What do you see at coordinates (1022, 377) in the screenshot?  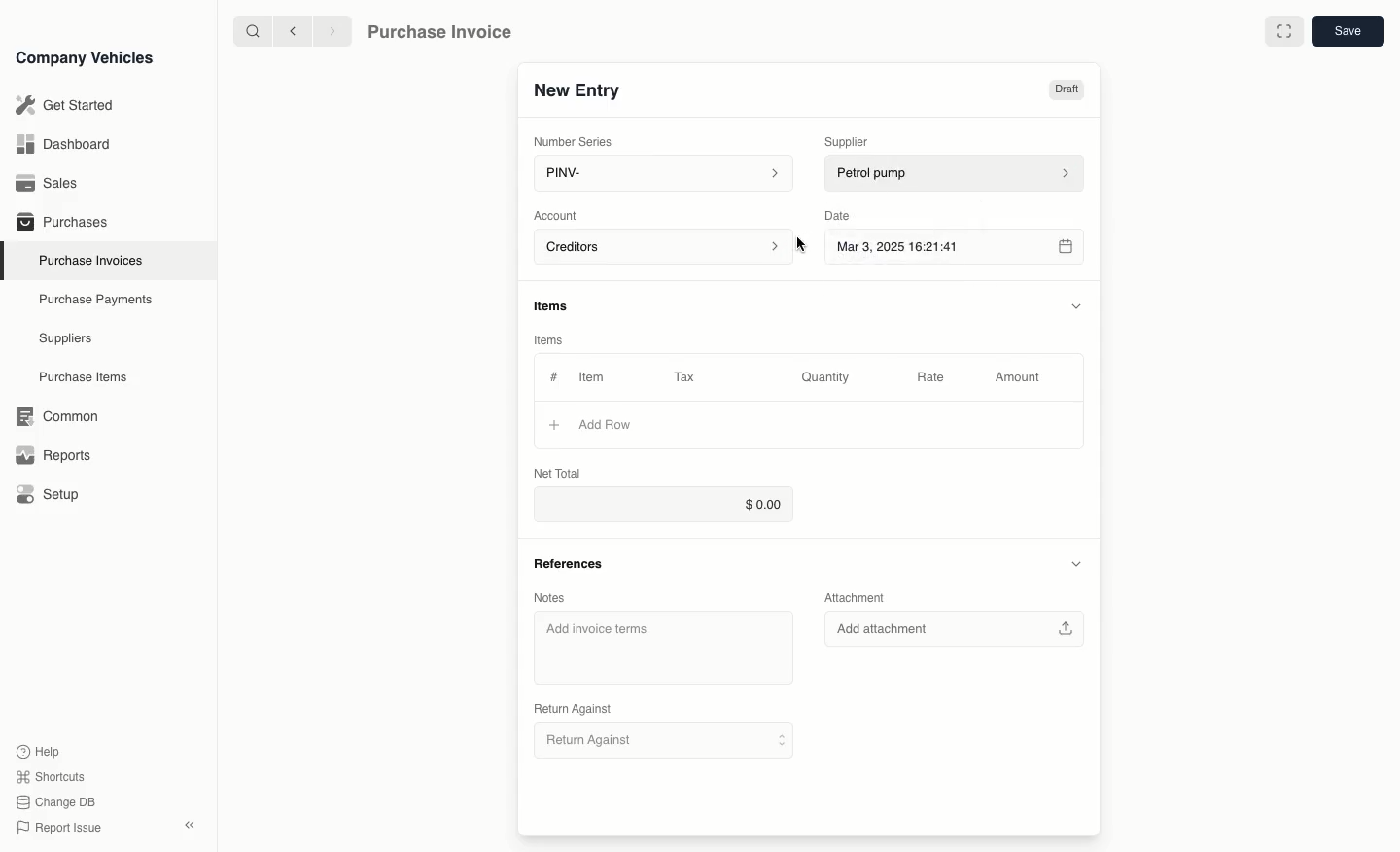 I see `Amount` at bounding box center [1022, 377].